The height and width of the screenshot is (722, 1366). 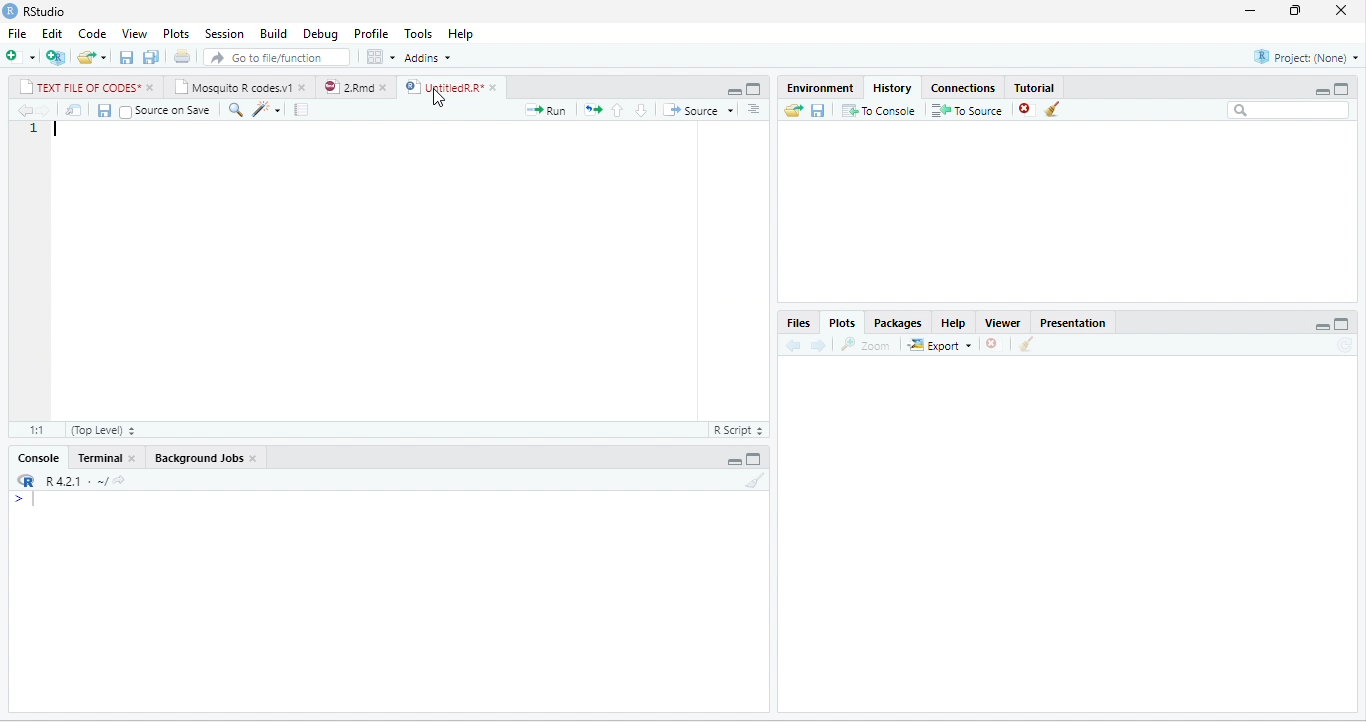 I want to click on Export, so click(x=940, y=344).